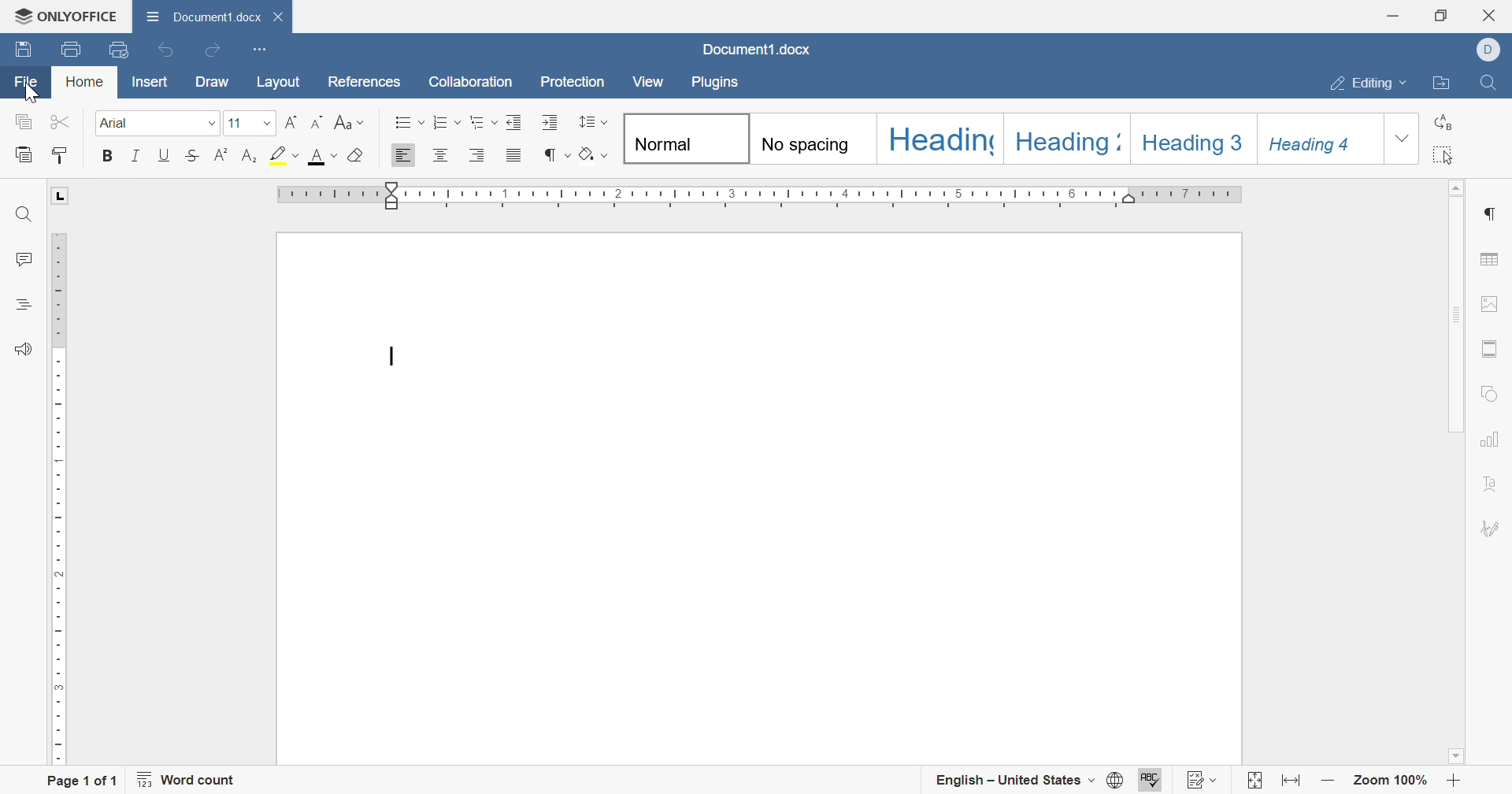 This screenshot has width=1512, height=794. What do you see at coordinates (56, 497) in the screenshot?
I see `ruler` at bounding box center [56, 497].